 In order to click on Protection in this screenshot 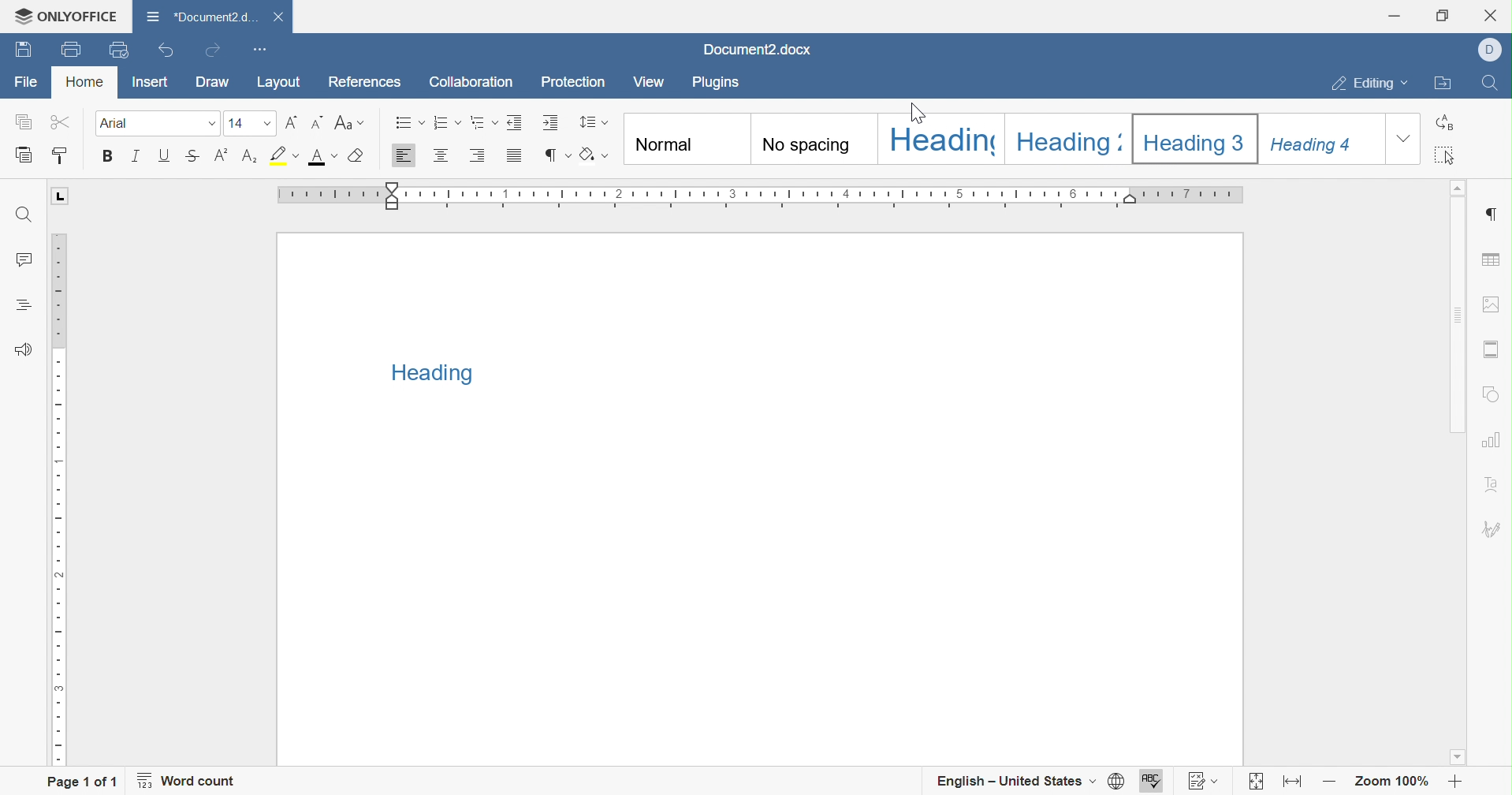, I will do `click(574, 82)`.